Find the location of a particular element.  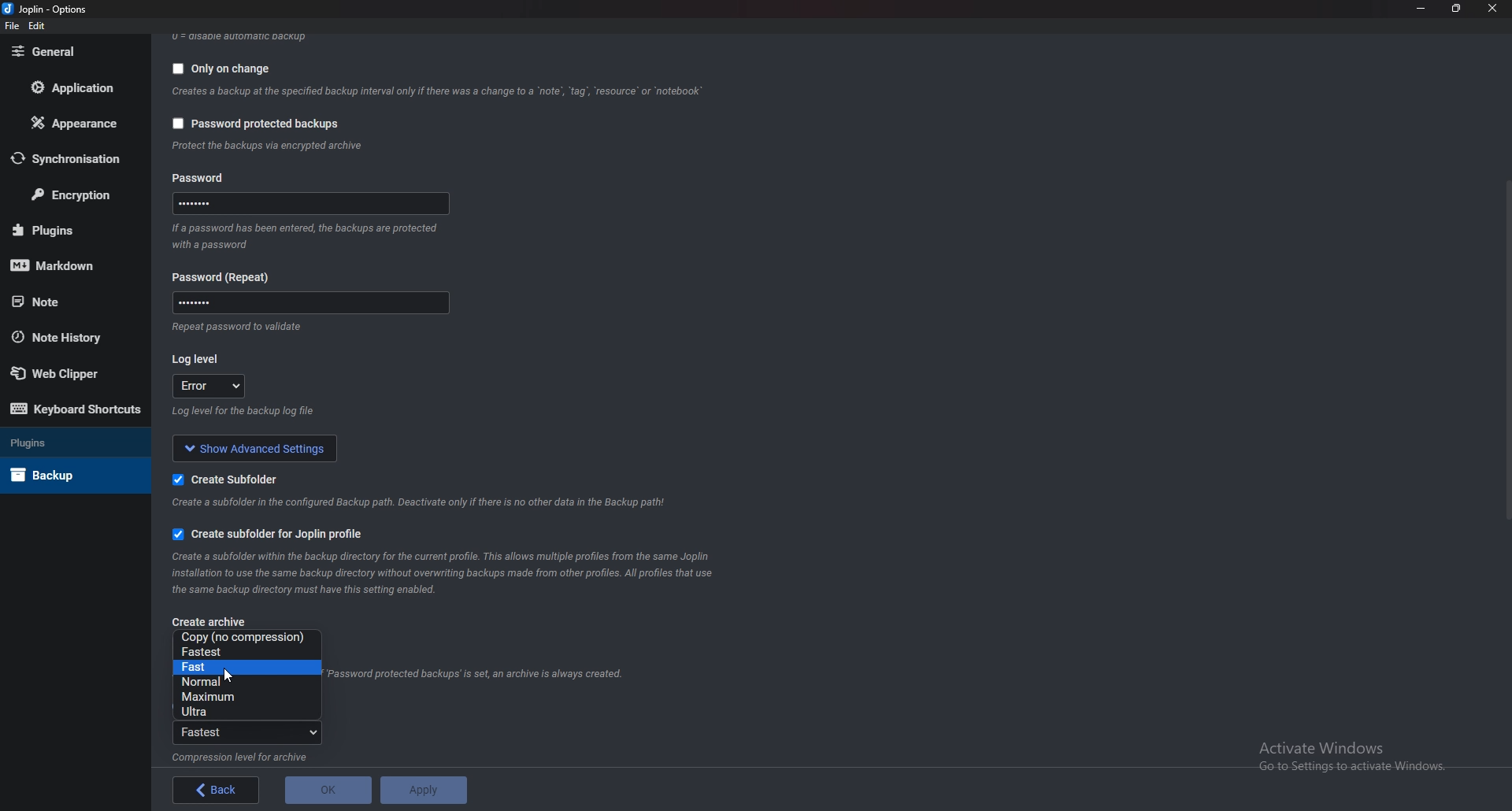

Log level is located at coordinates (198, 360).